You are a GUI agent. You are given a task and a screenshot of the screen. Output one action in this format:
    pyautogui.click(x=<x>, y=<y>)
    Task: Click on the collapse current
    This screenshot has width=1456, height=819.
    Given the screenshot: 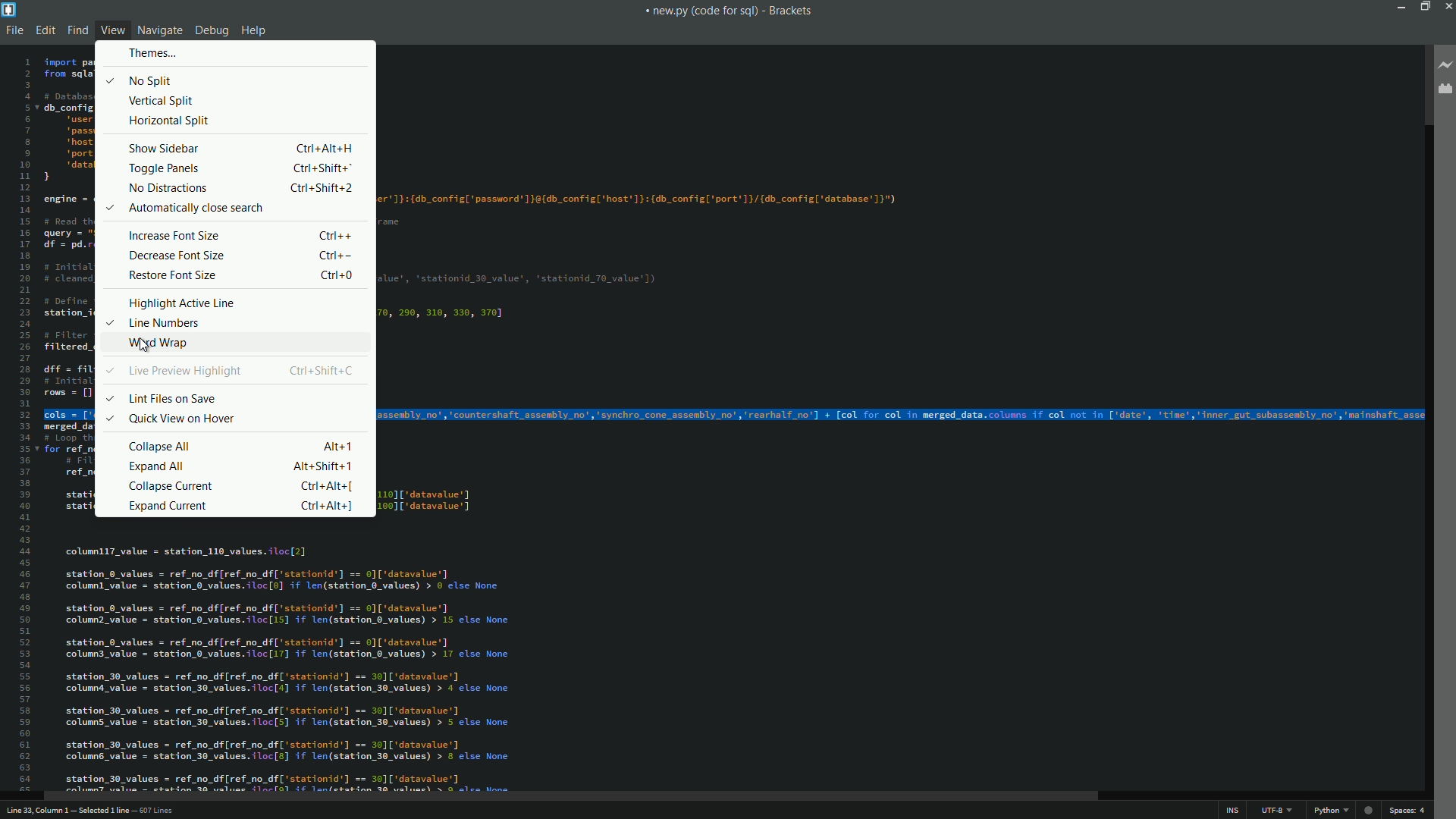 What is the action you would take?
    pyautogui.click(x=171, y=486)
    